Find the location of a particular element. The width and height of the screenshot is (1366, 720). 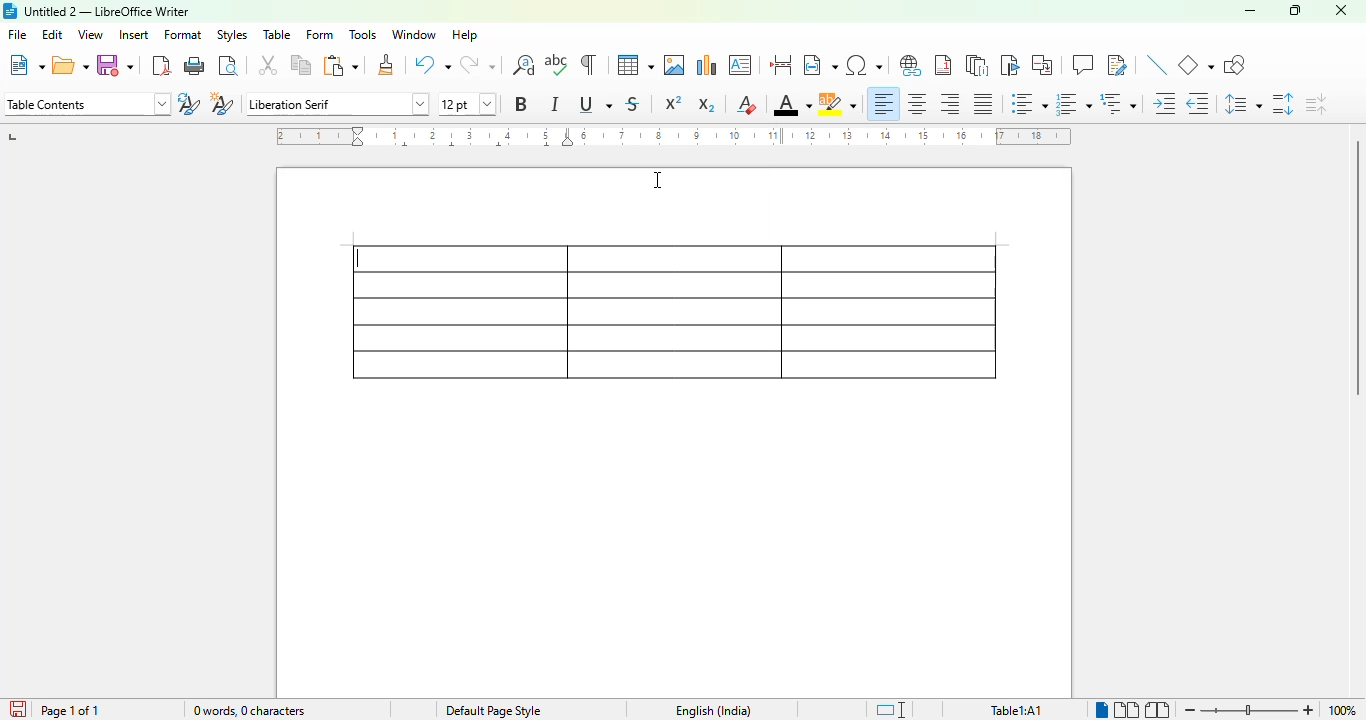

set line spacing is located at coordinates (1244, 104).